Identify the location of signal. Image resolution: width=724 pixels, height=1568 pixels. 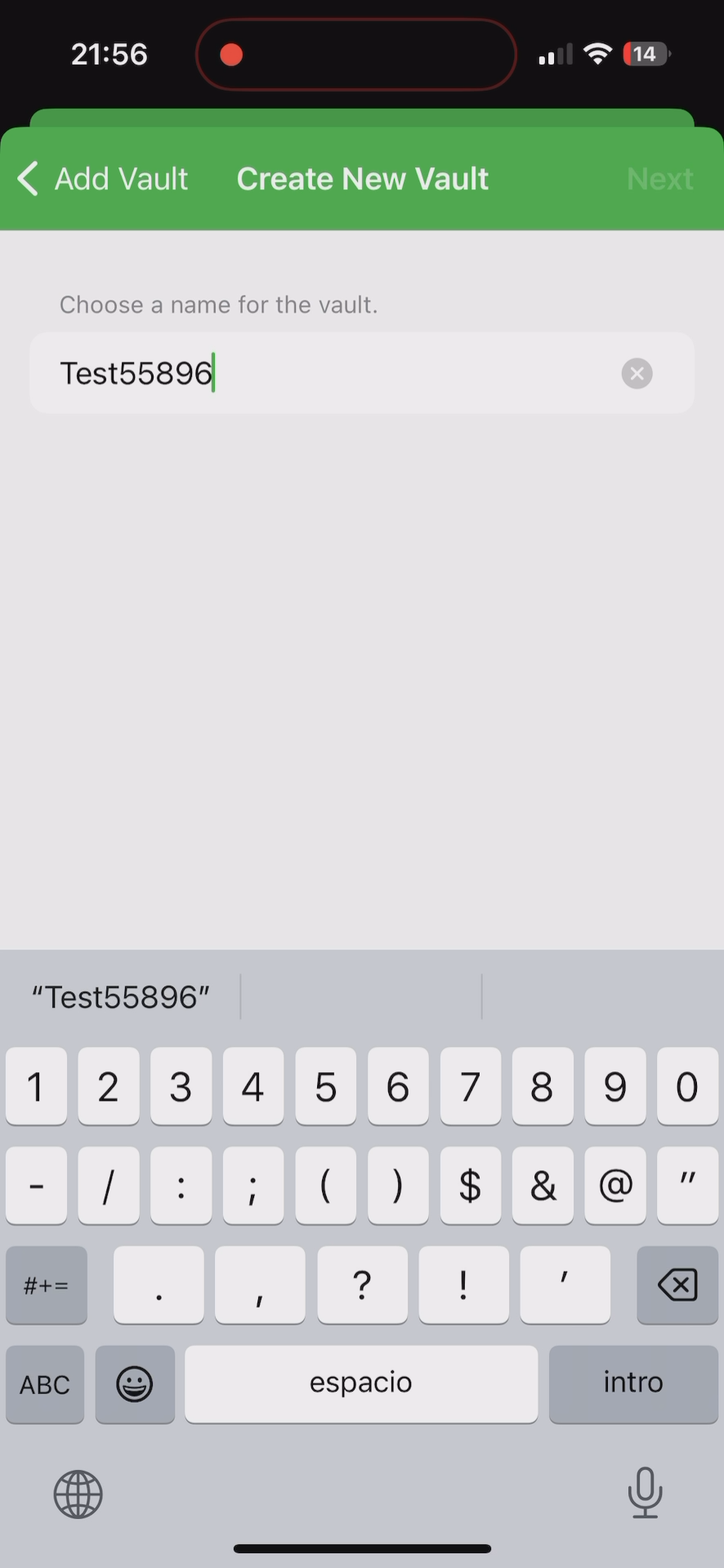
(553, 55).